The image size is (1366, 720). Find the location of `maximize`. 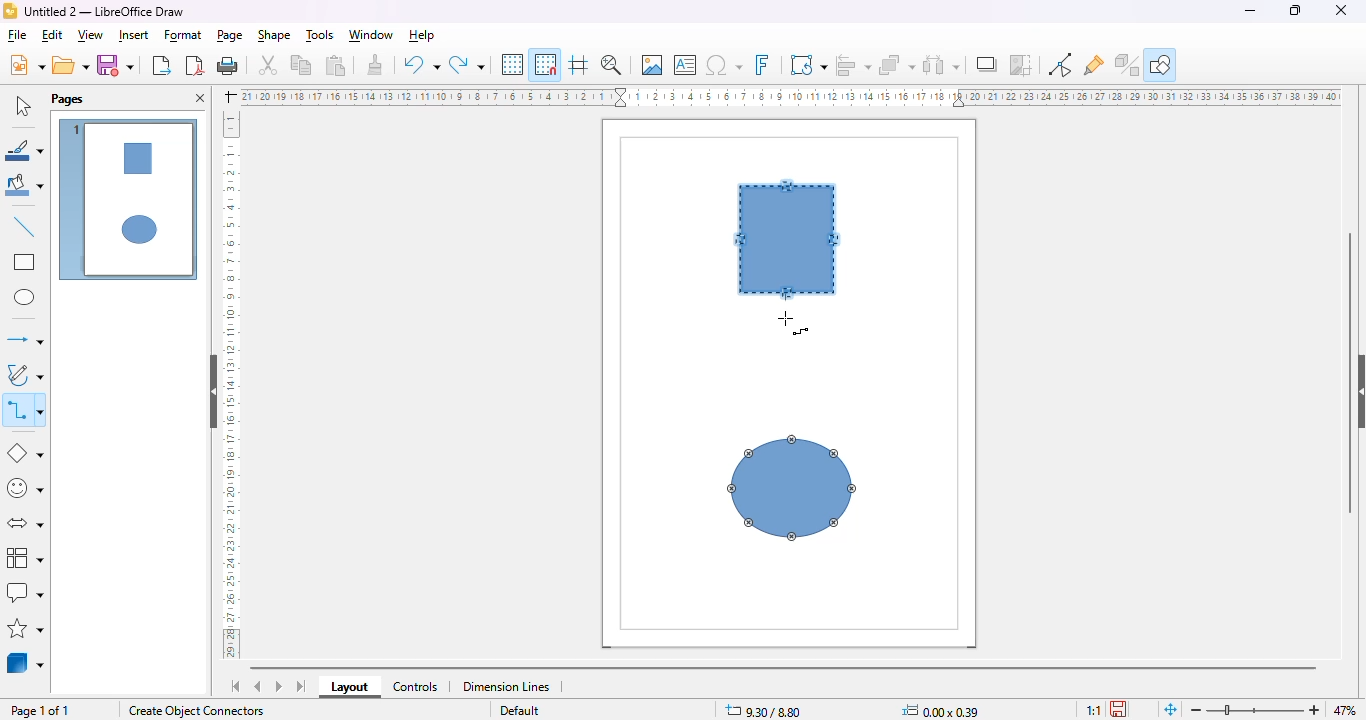

maximize is located at coordinates (1295, 10).